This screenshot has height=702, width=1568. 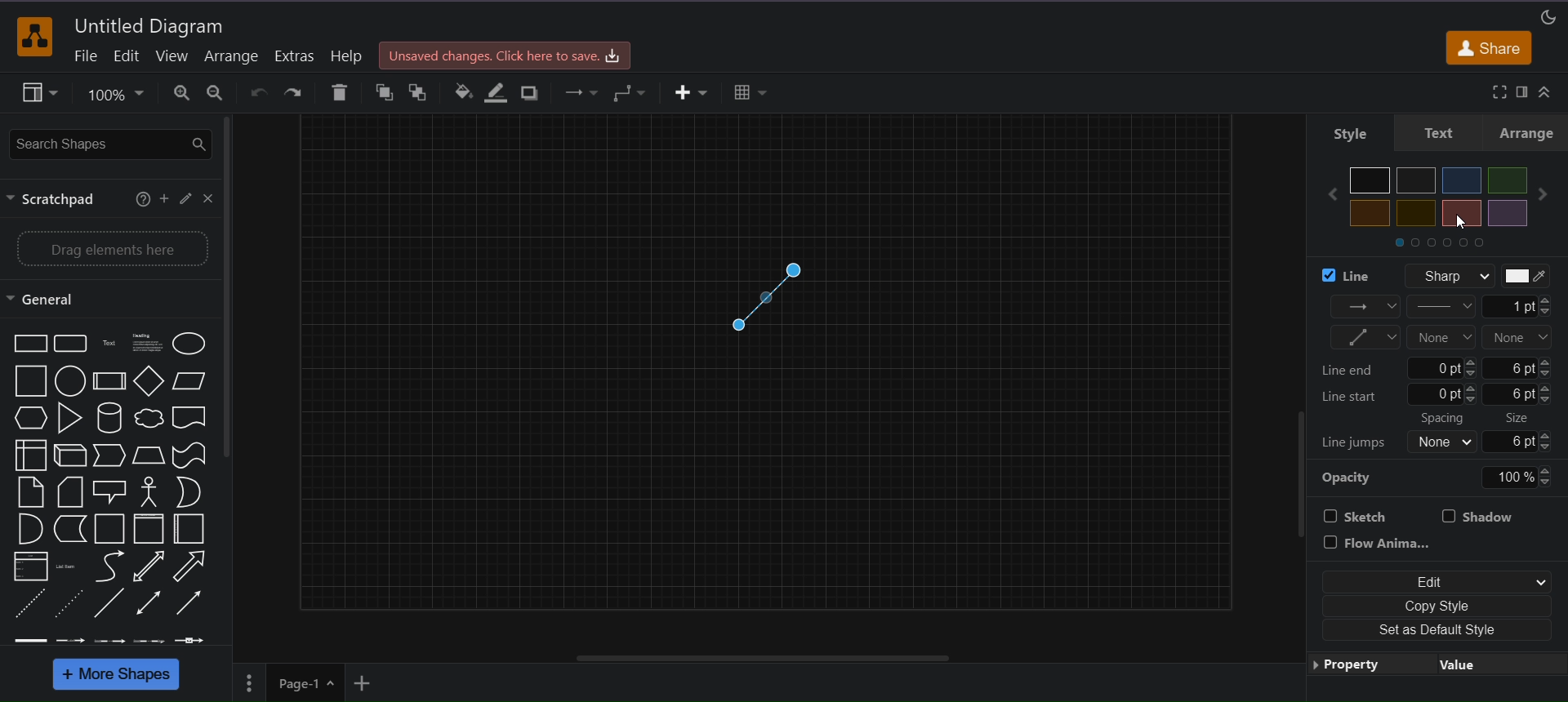 I want to click on search shapes, so click(x=110, y=144).